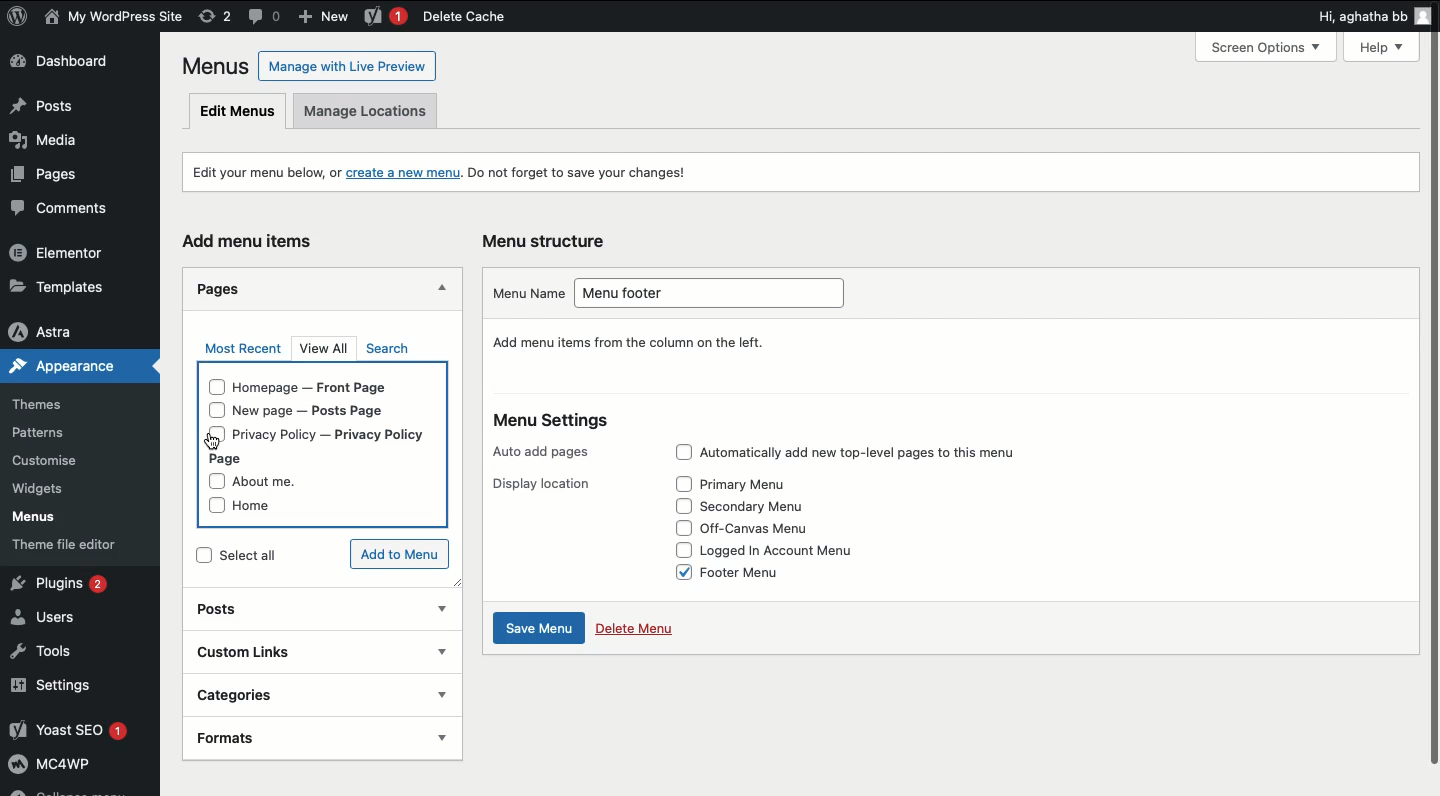 This screenshot has width=1440, height=796. I want to click on Posts, so click(292, 608).